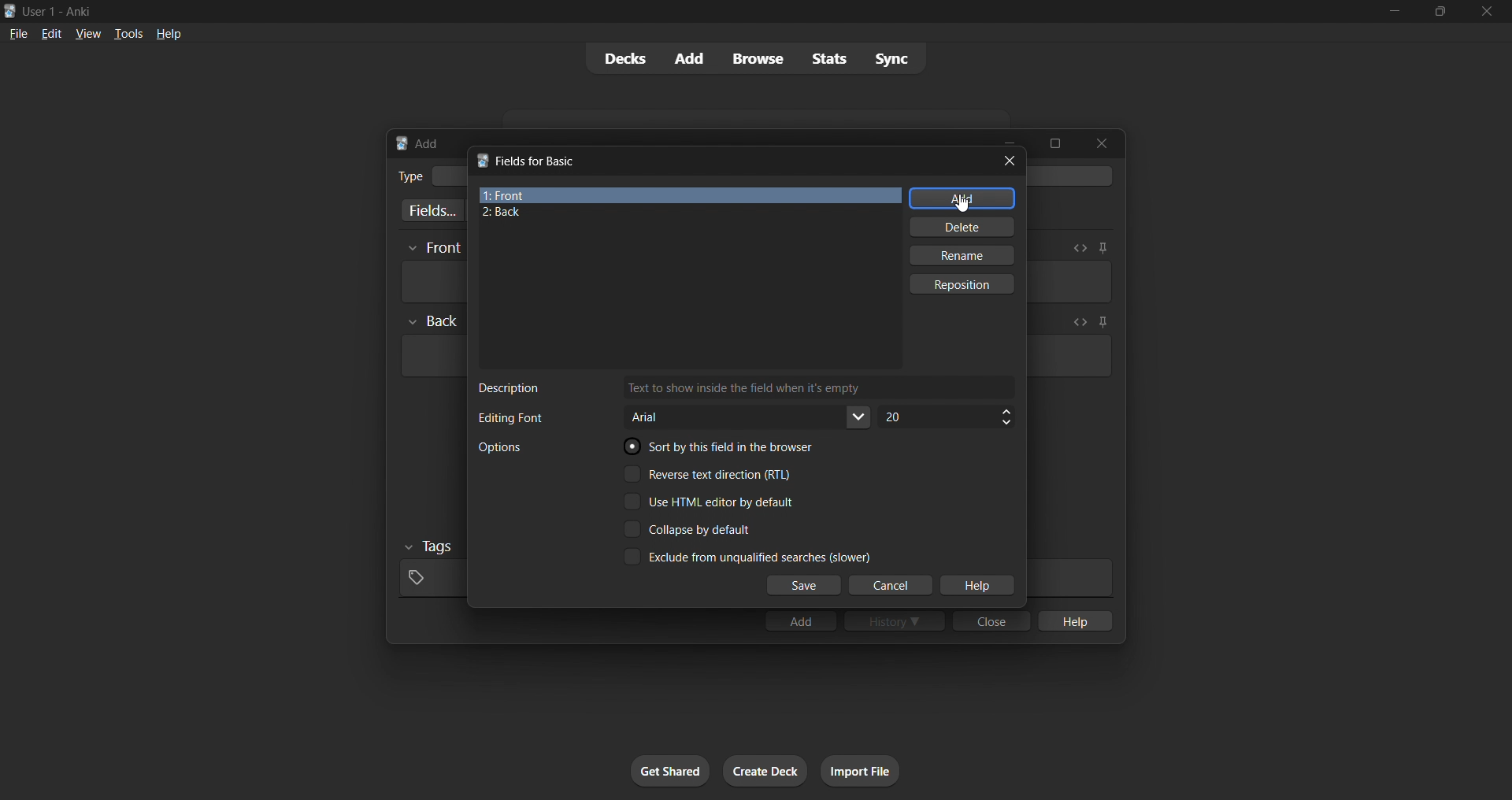 Image resolution: width=1512 pixels, height=800 pixels. What do you see at coordinates (510, 388) in the screenshot?
I see `Text` at bounding box center [510, 388].